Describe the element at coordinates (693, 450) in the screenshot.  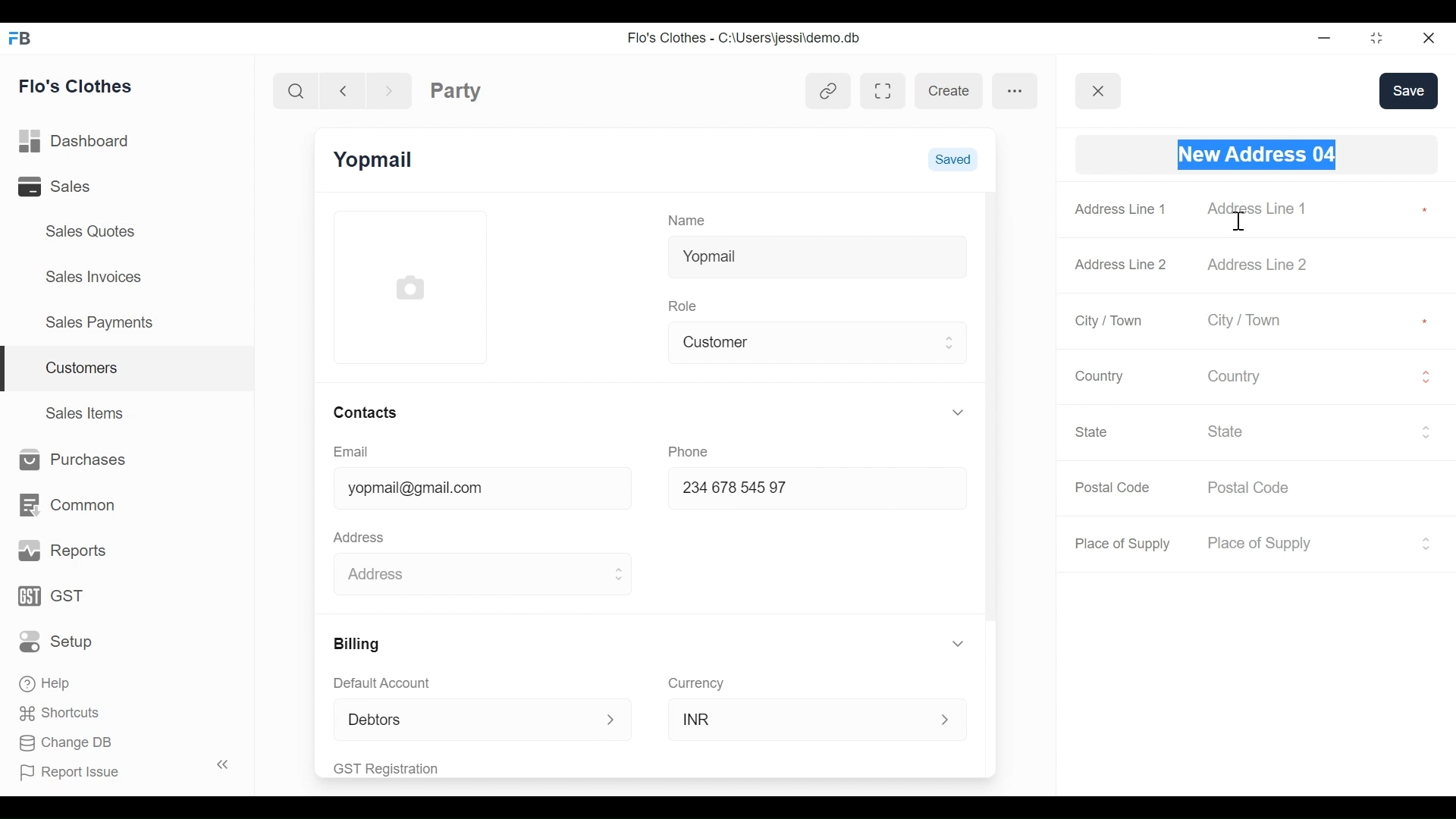
I see `Phone` at that location.